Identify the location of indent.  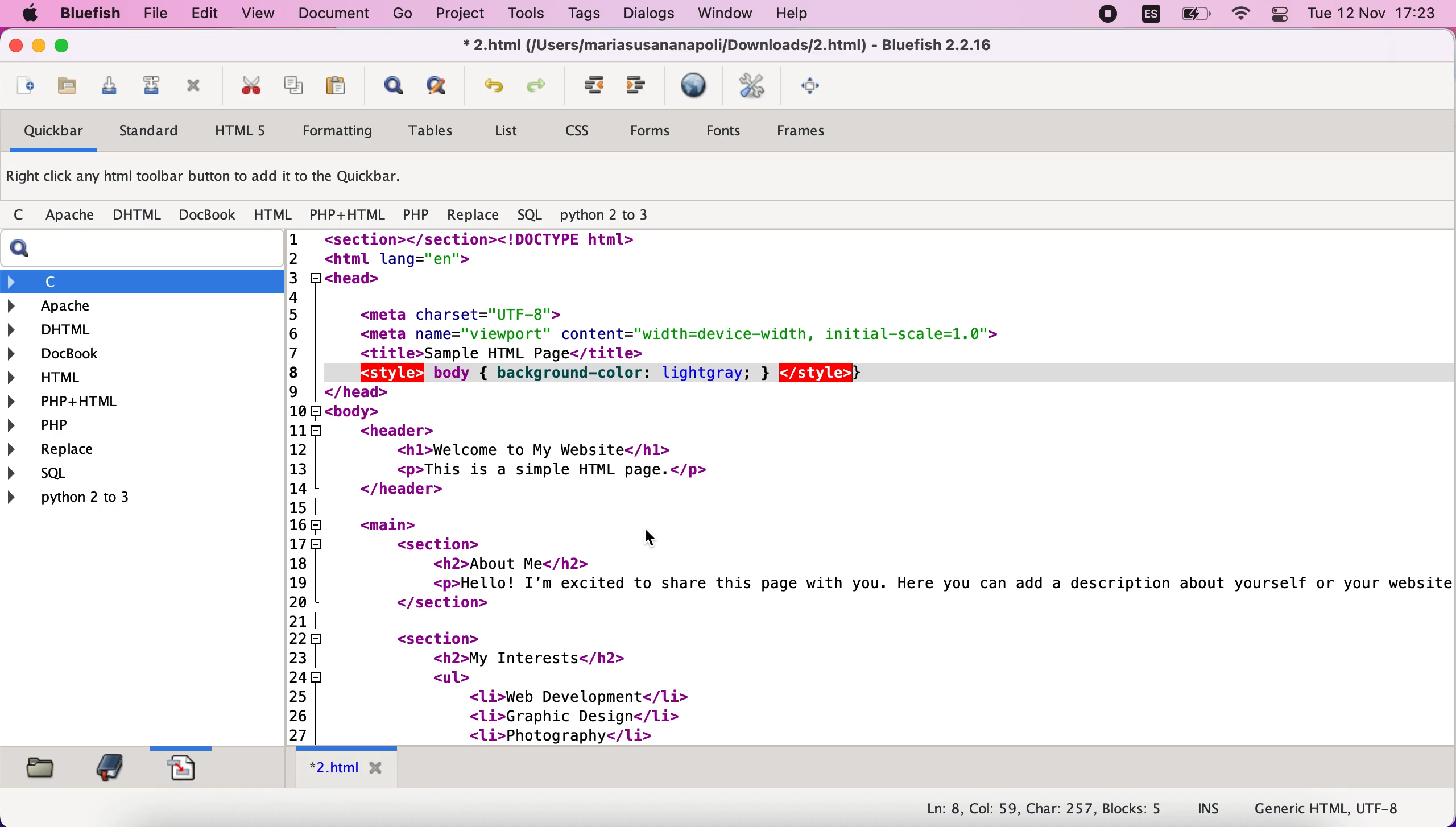
(595, 86).